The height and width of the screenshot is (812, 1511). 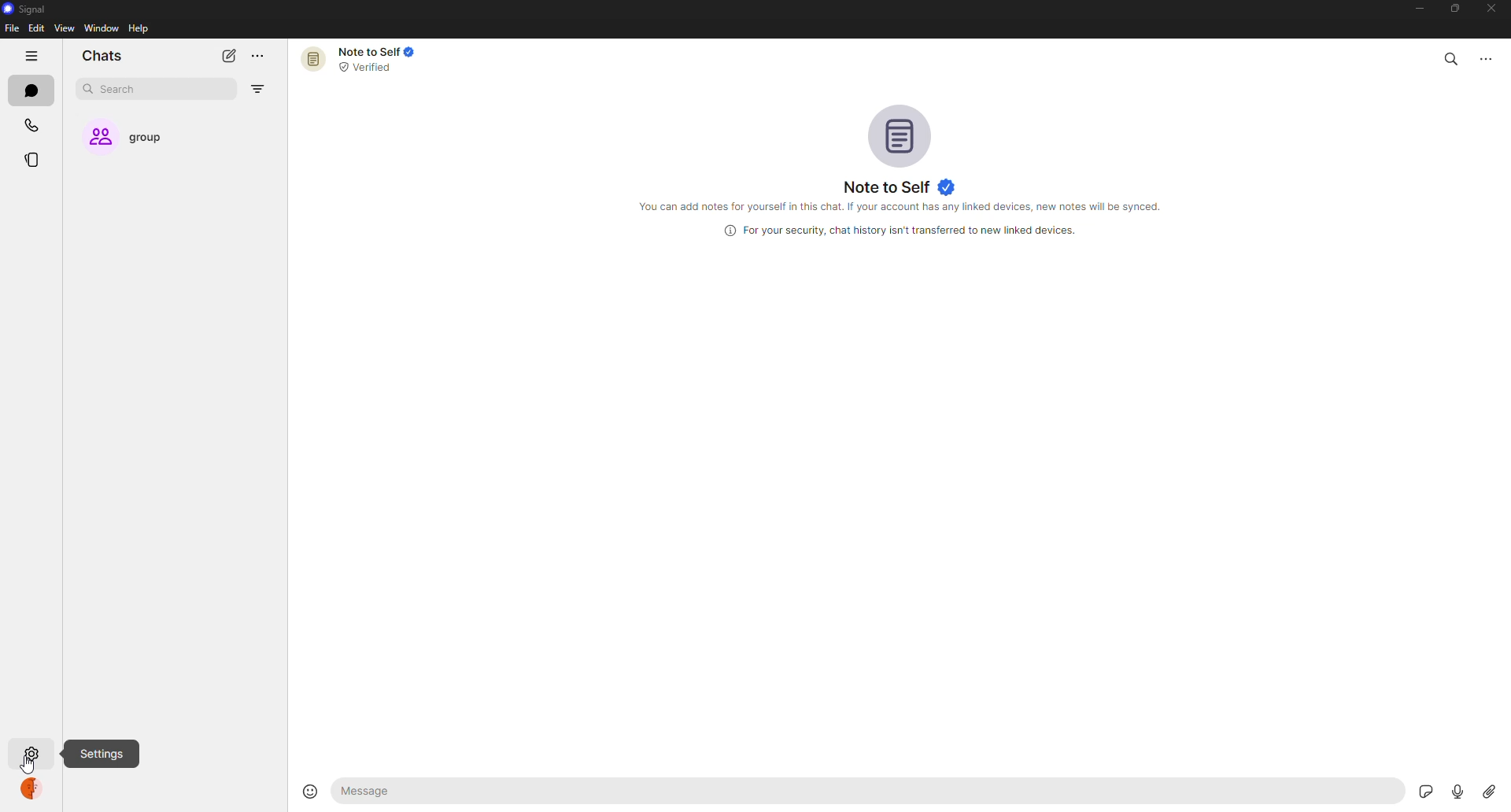 I want to click on view, so click(x=64, y=28).